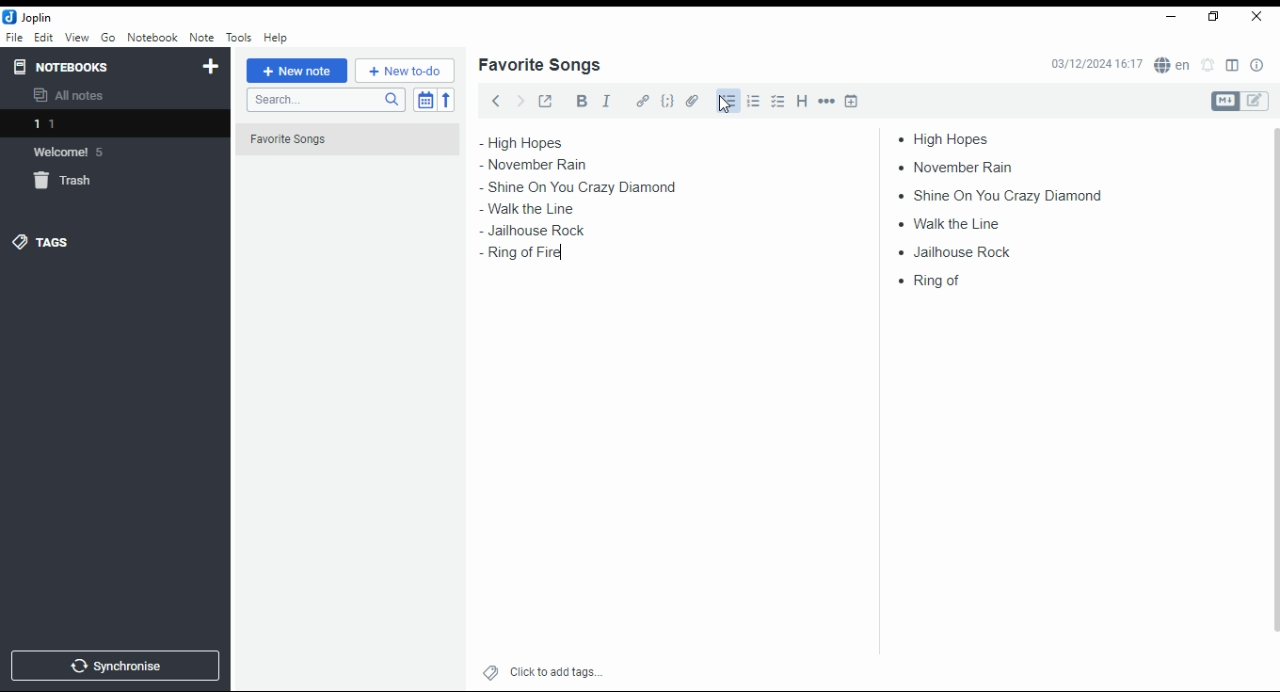 The image size is (1280, 692). I want to click on walk ta line, so click(952, 222).